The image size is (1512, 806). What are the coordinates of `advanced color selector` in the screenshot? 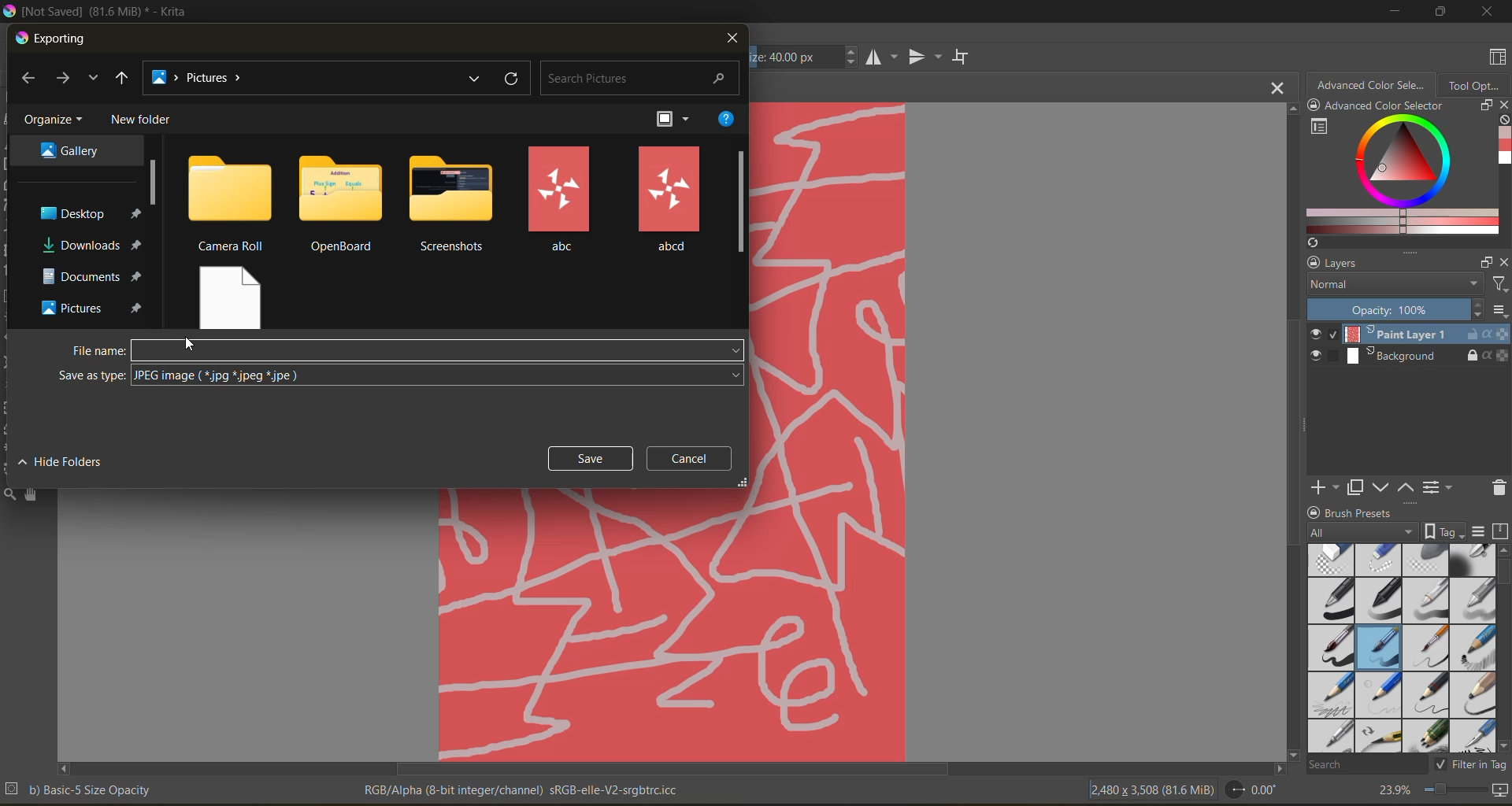 It's located at (1397, 176).